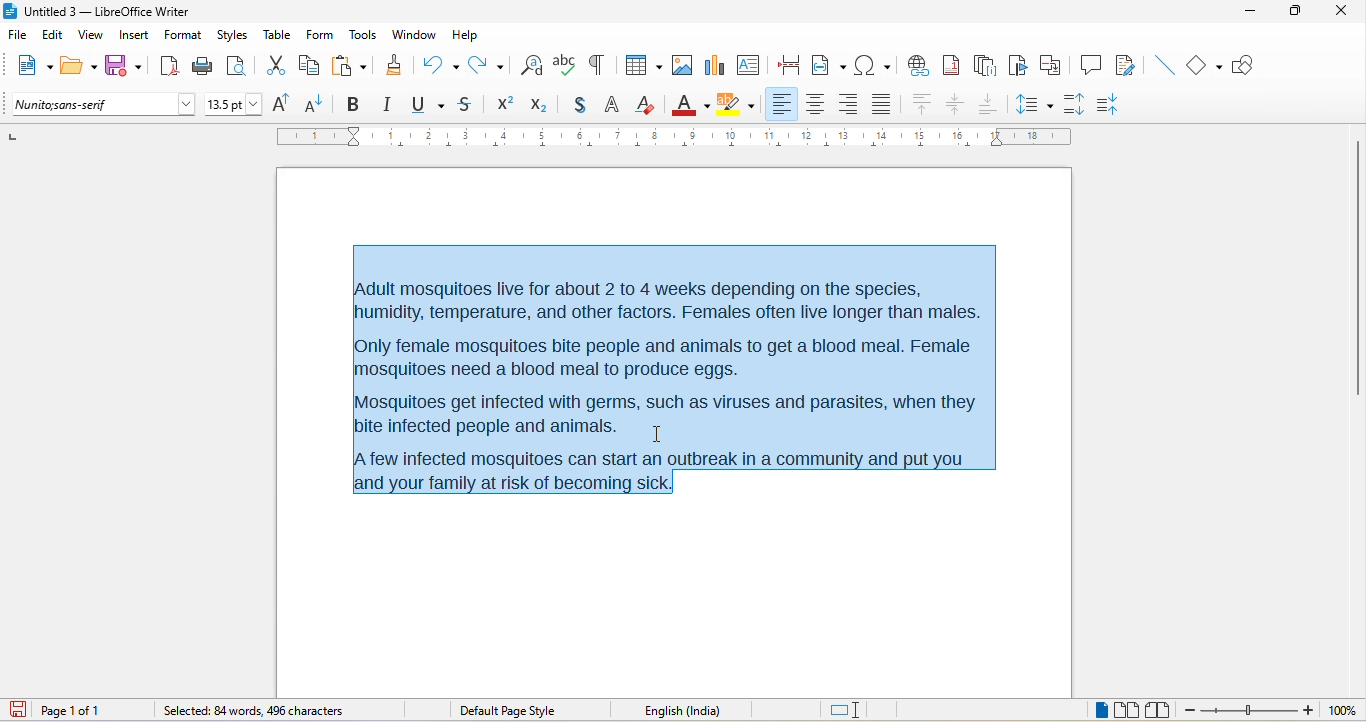 The height and width of the screenshot is (722, 1366). Describe the element at coordinates (234, 105) in the screenshot. I see `font size` at that location.